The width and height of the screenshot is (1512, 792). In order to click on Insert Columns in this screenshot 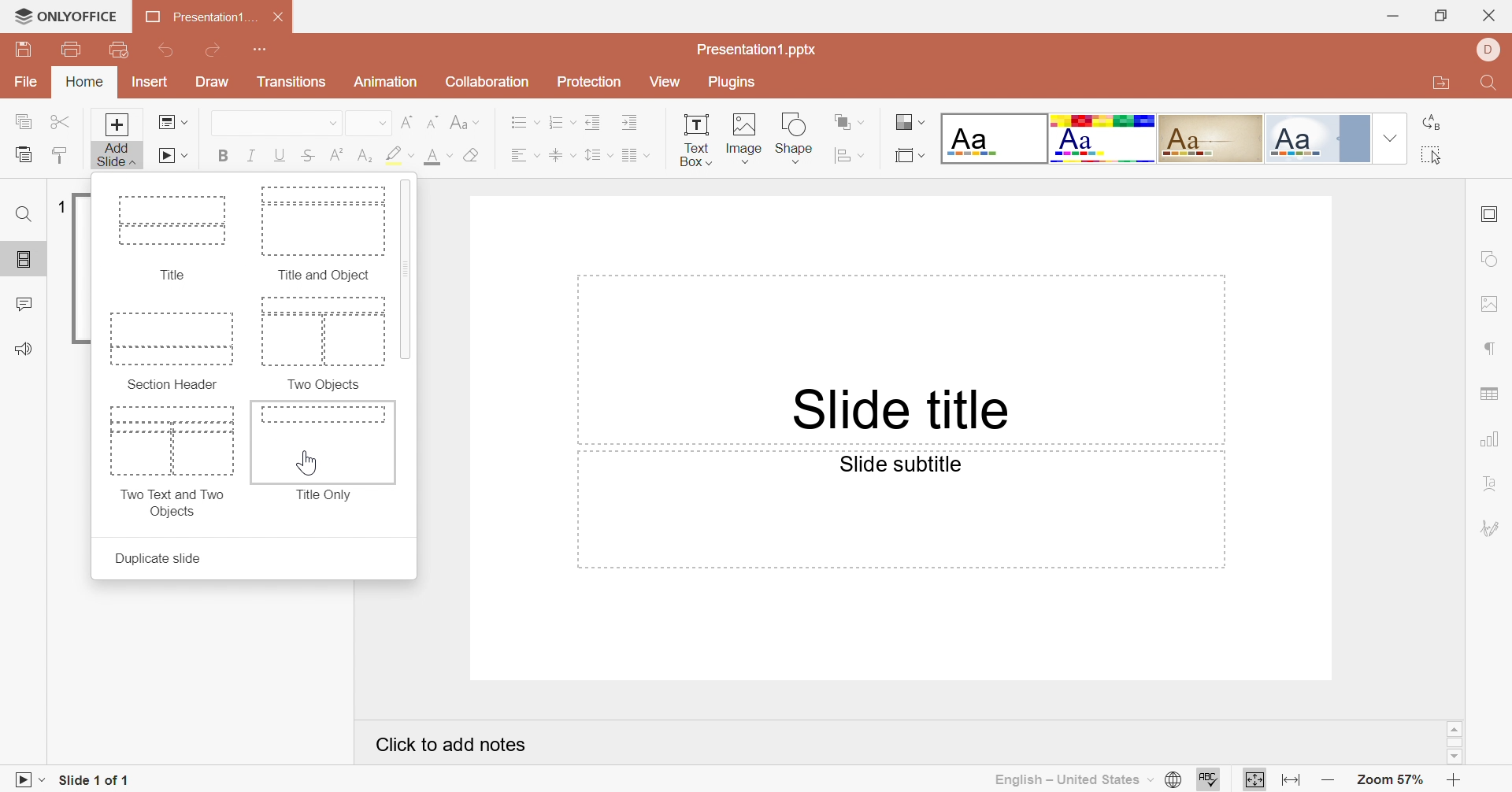, I will do `click(636, 157)`.